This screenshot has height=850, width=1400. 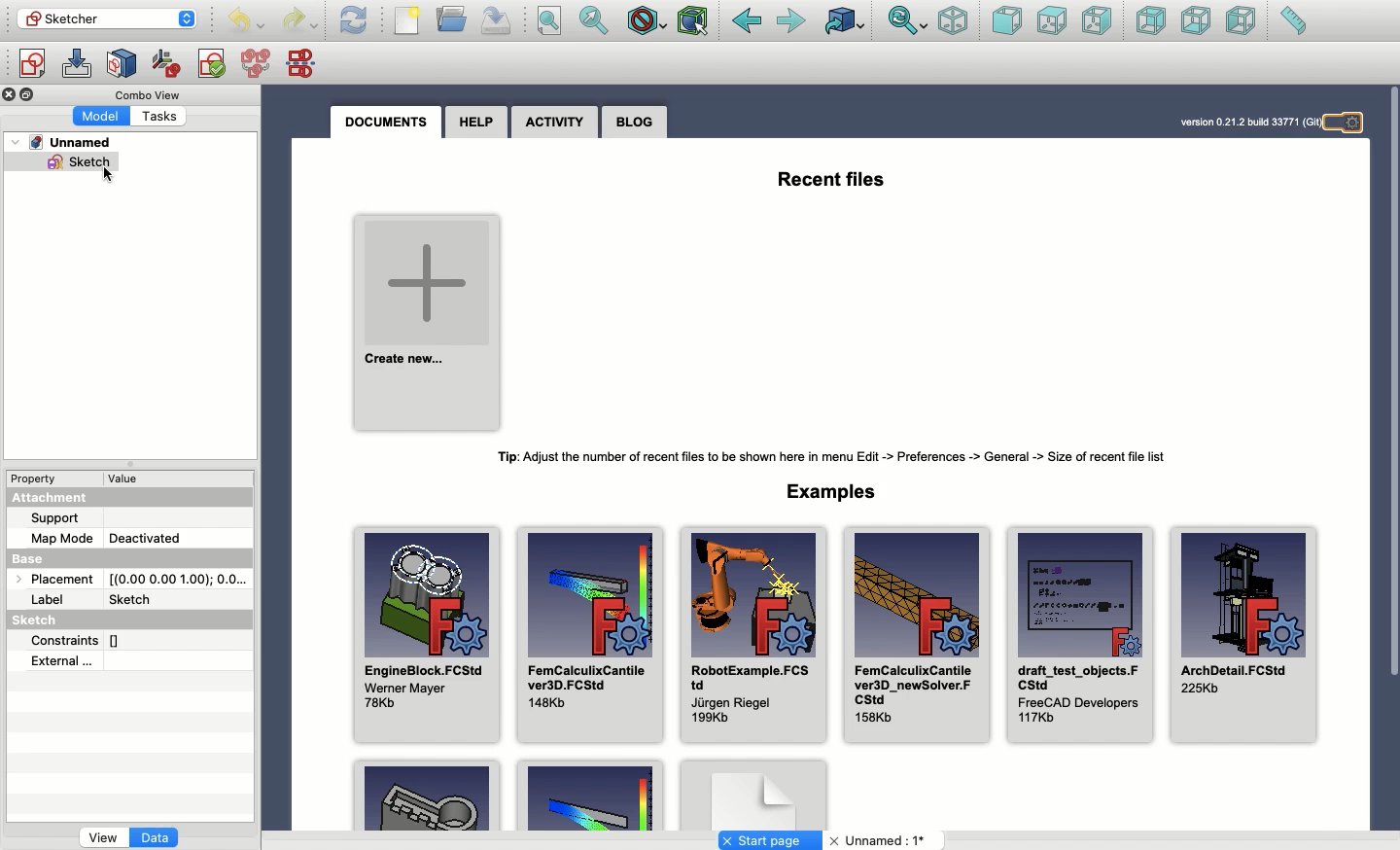 What do you see at coordinates (157, 839) in the screenshot?
I see `Data` at bounding box center [157, 839].